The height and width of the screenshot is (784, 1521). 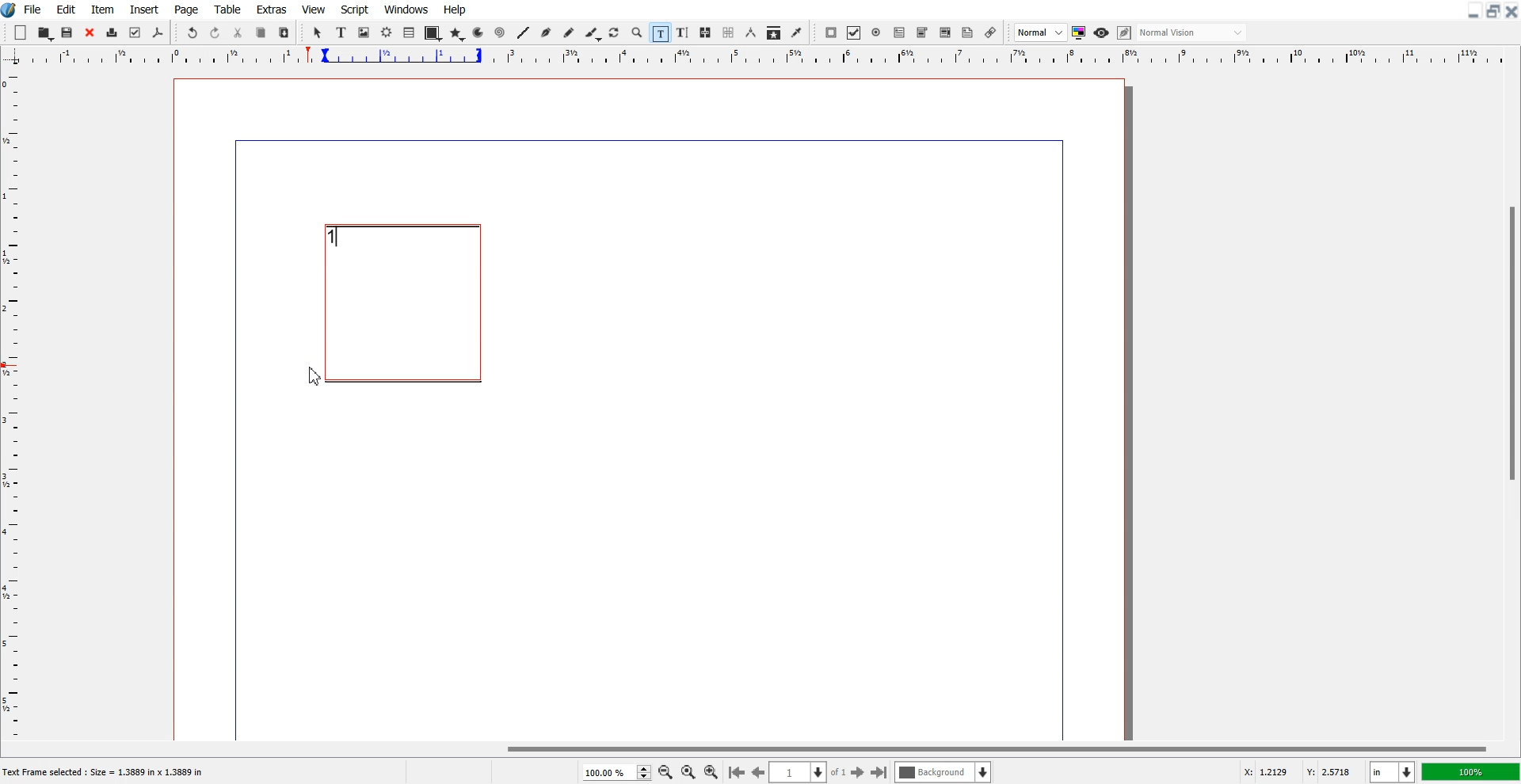 What do you see at coordinates (109, 773) in the screenshot?
I see `Text` at bounding box center [109, 773].